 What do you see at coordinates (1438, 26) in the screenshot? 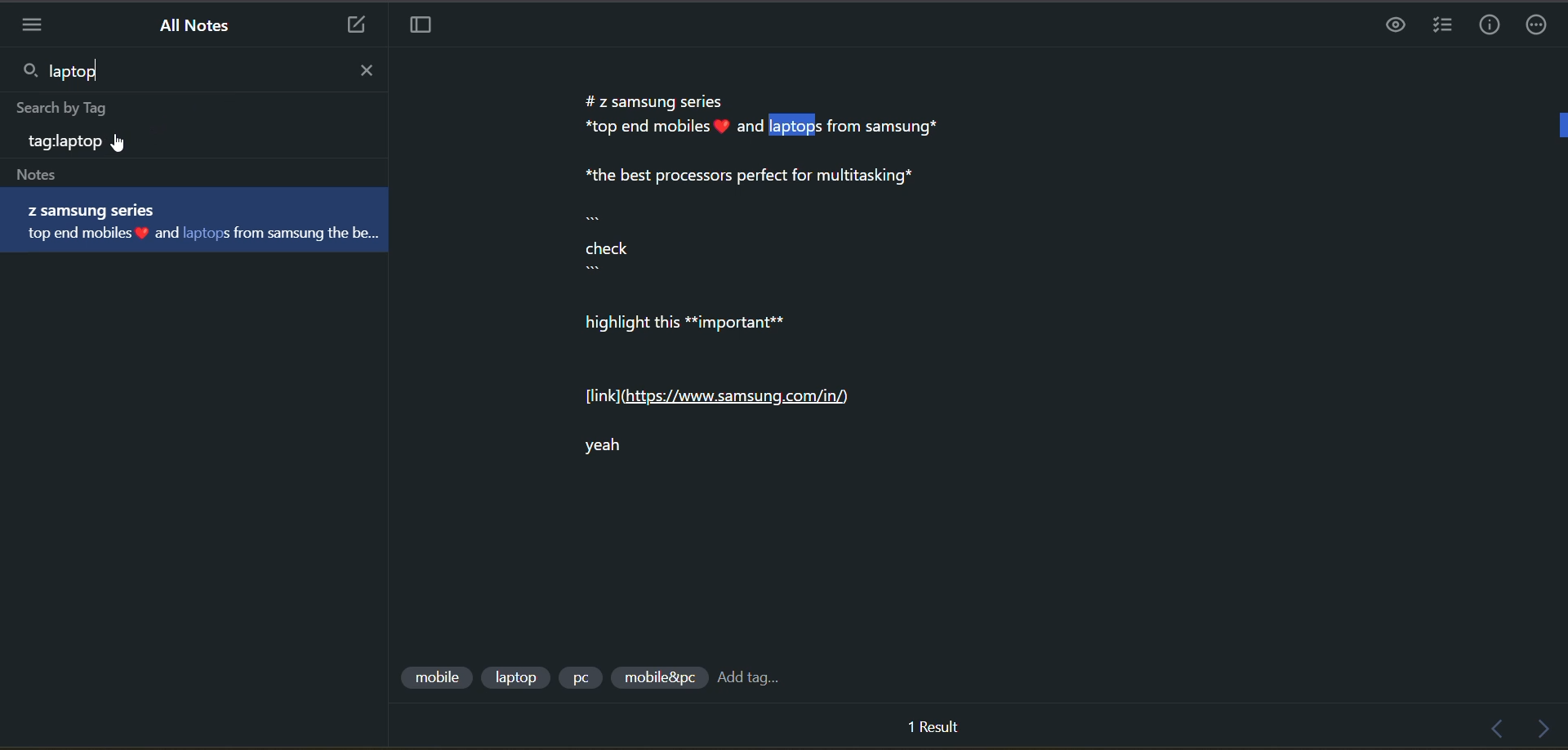
I see `insert checklist` at bounding box center [1438, 26].